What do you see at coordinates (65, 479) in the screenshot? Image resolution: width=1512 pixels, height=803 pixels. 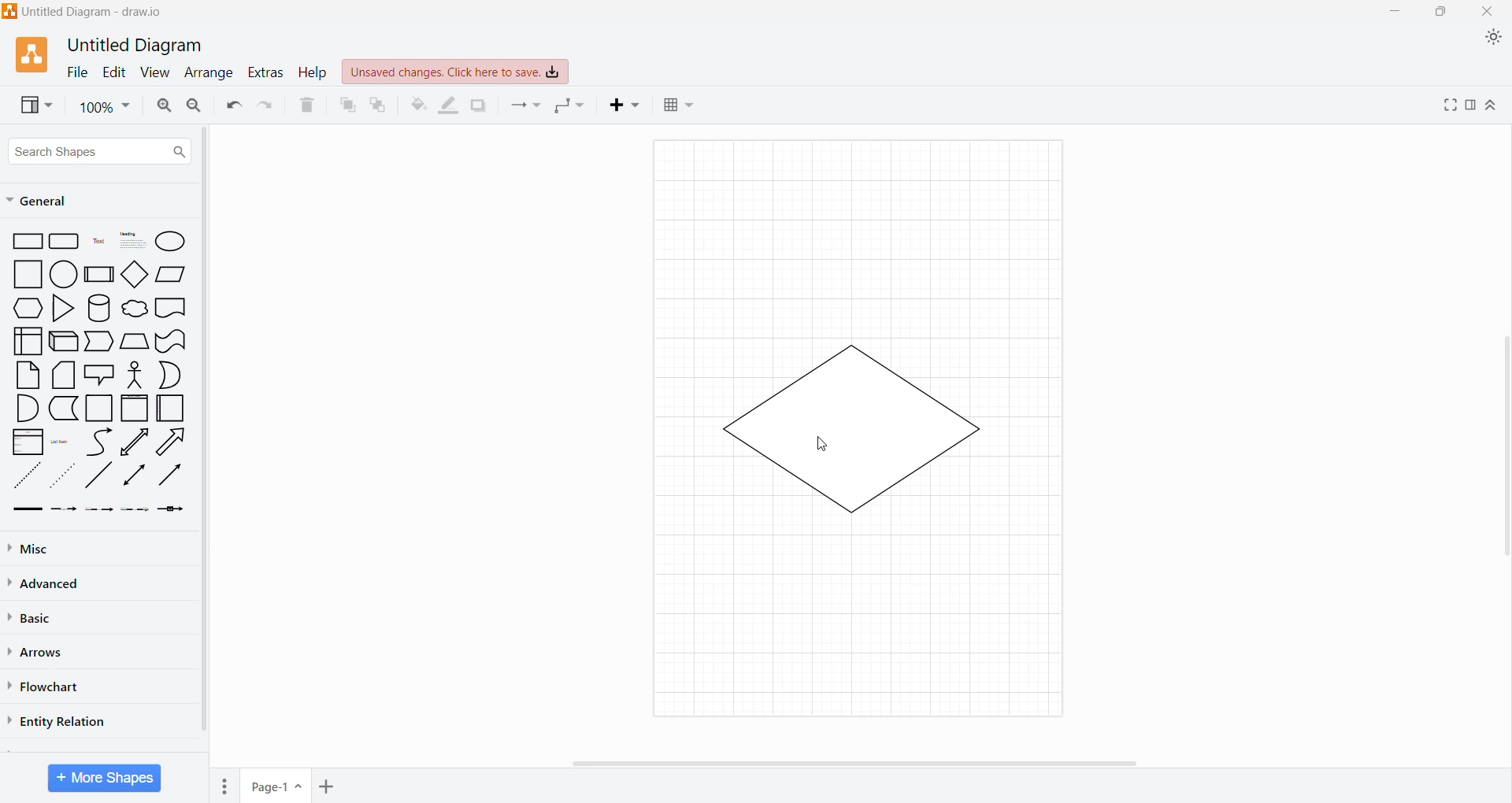 I see `Dotted Line` at bounding box center [65, 479].